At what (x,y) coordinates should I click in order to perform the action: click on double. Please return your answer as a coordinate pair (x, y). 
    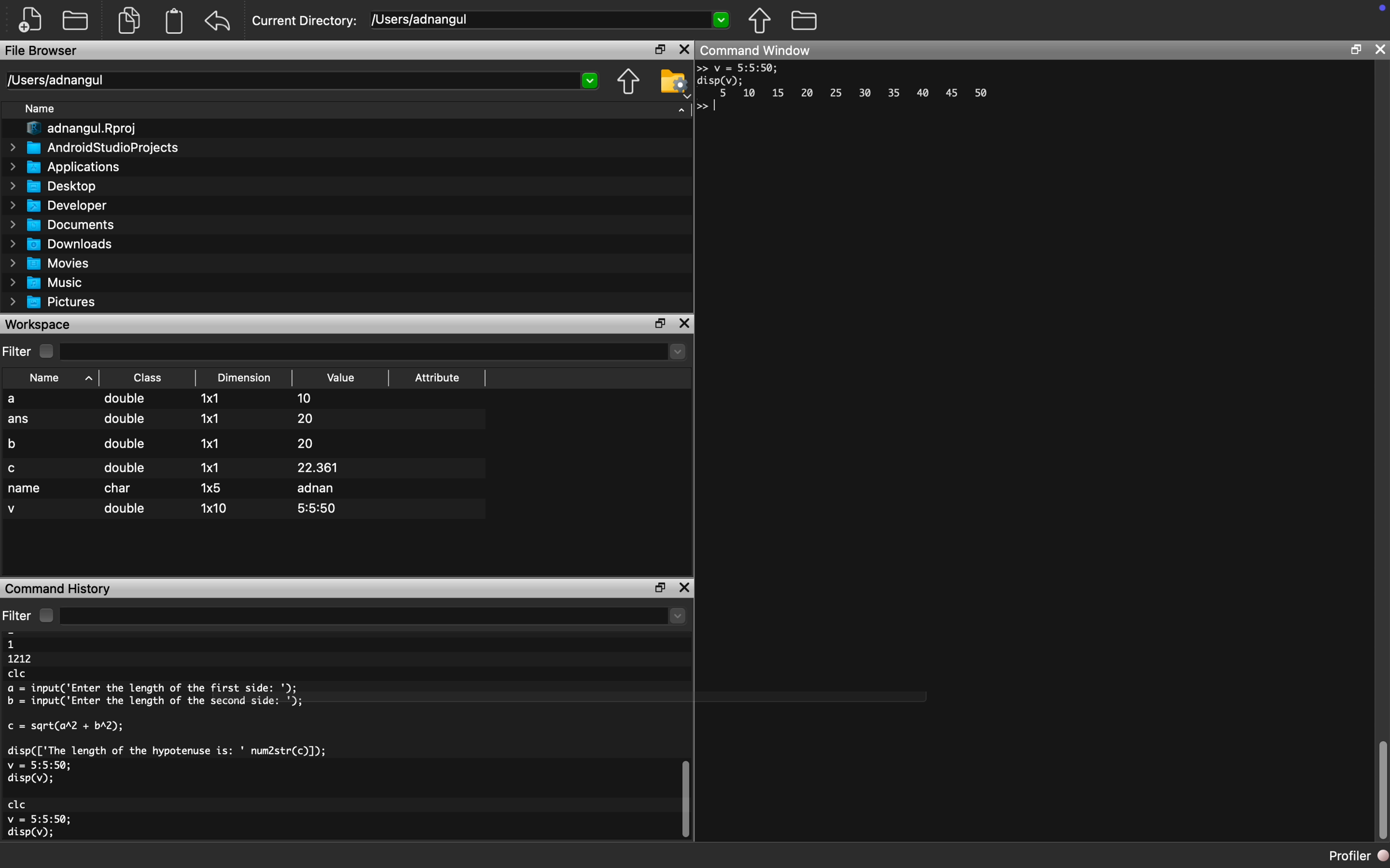
    Looking at the image, I should click on (126, 509).